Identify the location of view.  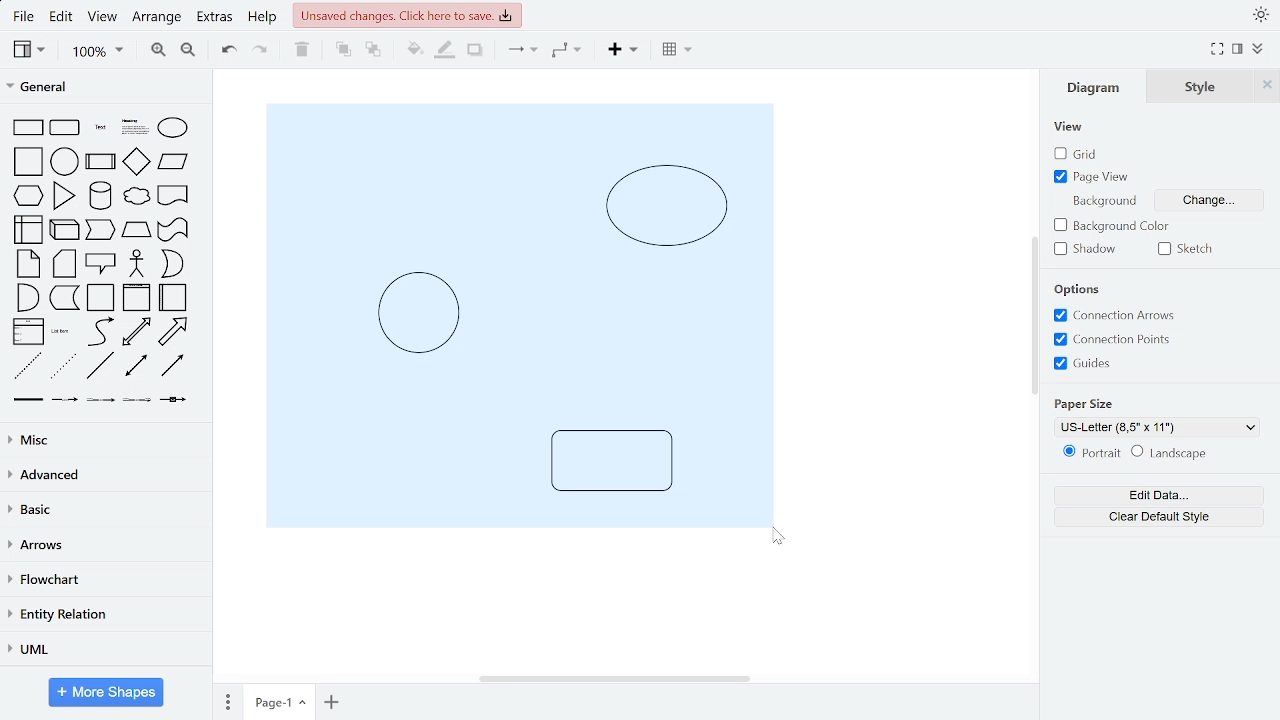
(30, 50).